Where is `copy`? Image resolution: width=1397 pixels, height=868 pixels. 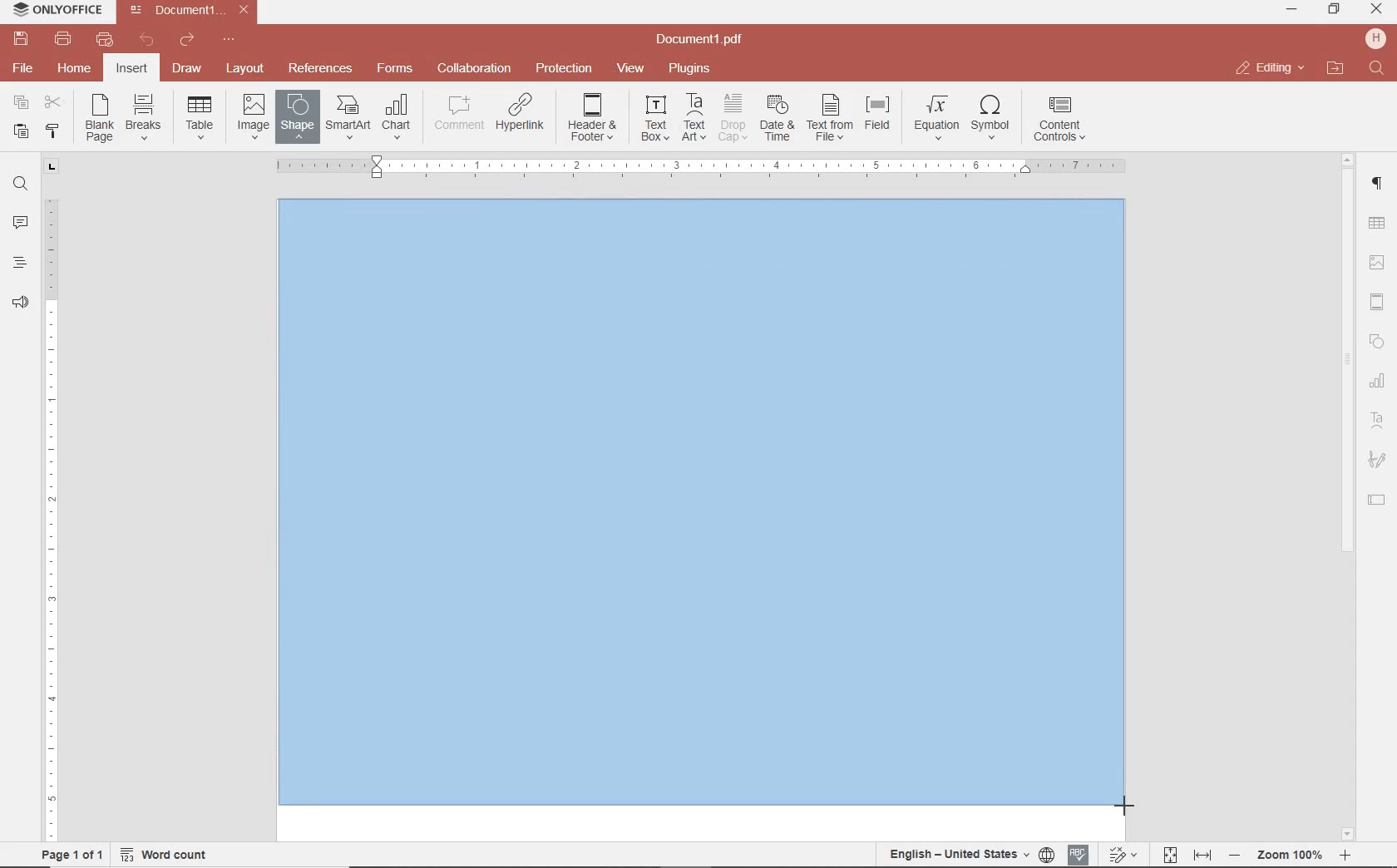 copy is located at coordinates (21, 104).